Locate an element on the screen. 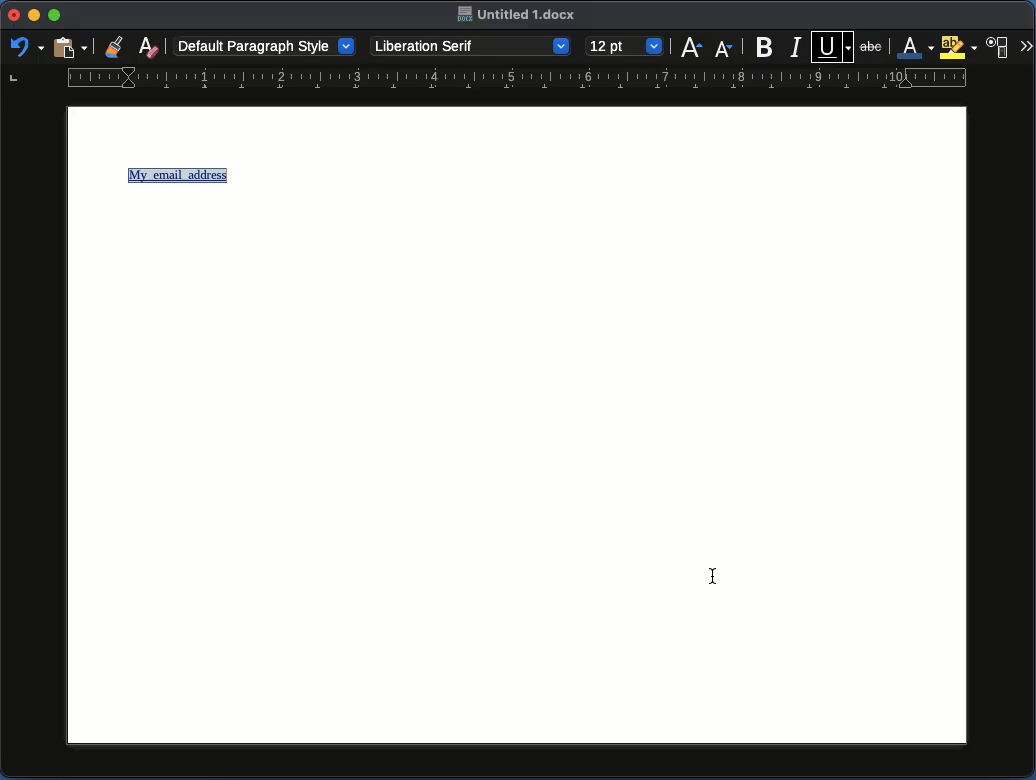  Bold is located at coordinates (765, 47).